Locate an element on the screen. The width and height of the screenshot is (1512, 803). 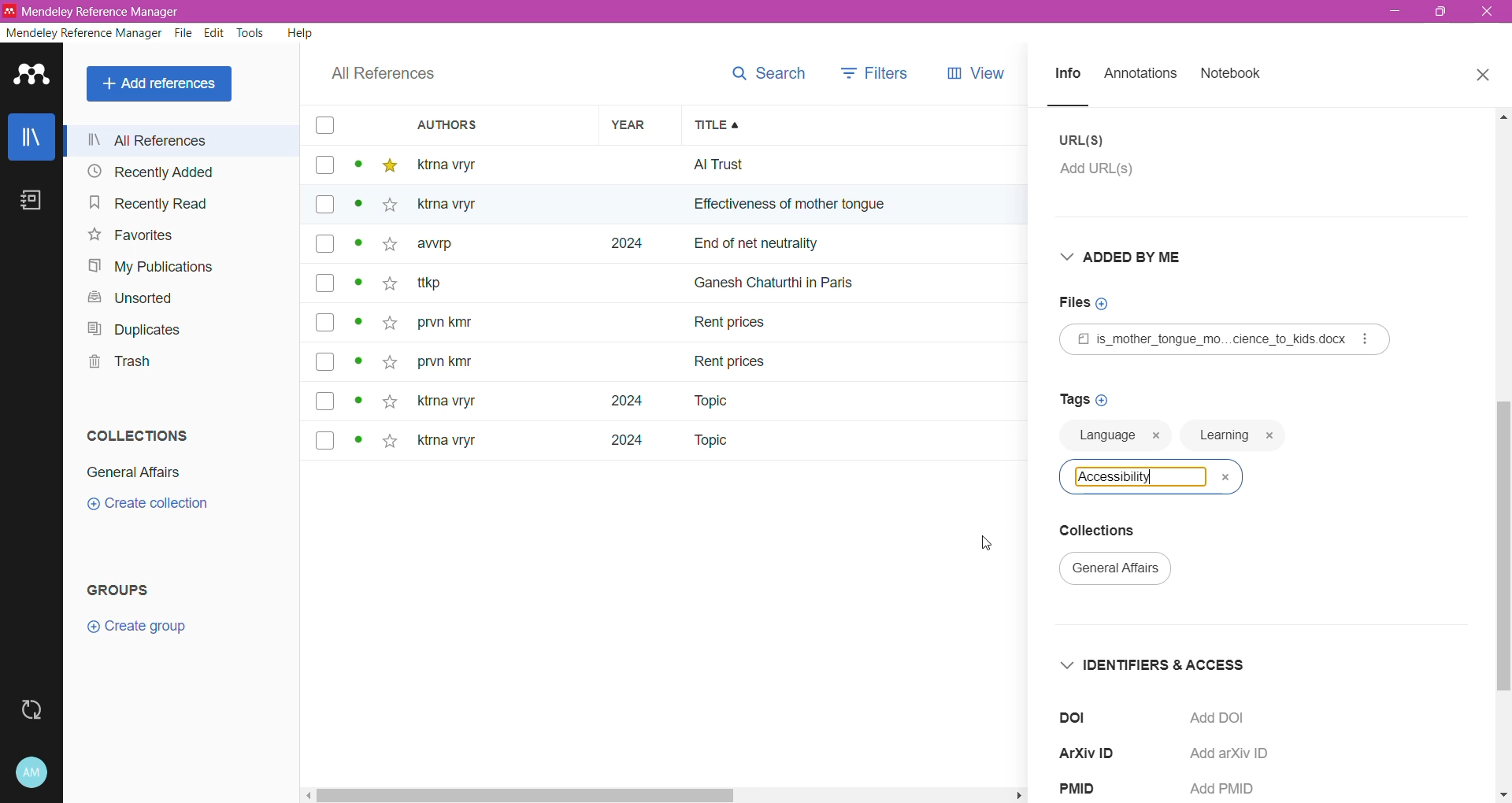
PMID is located at coordinates (1088, 790).